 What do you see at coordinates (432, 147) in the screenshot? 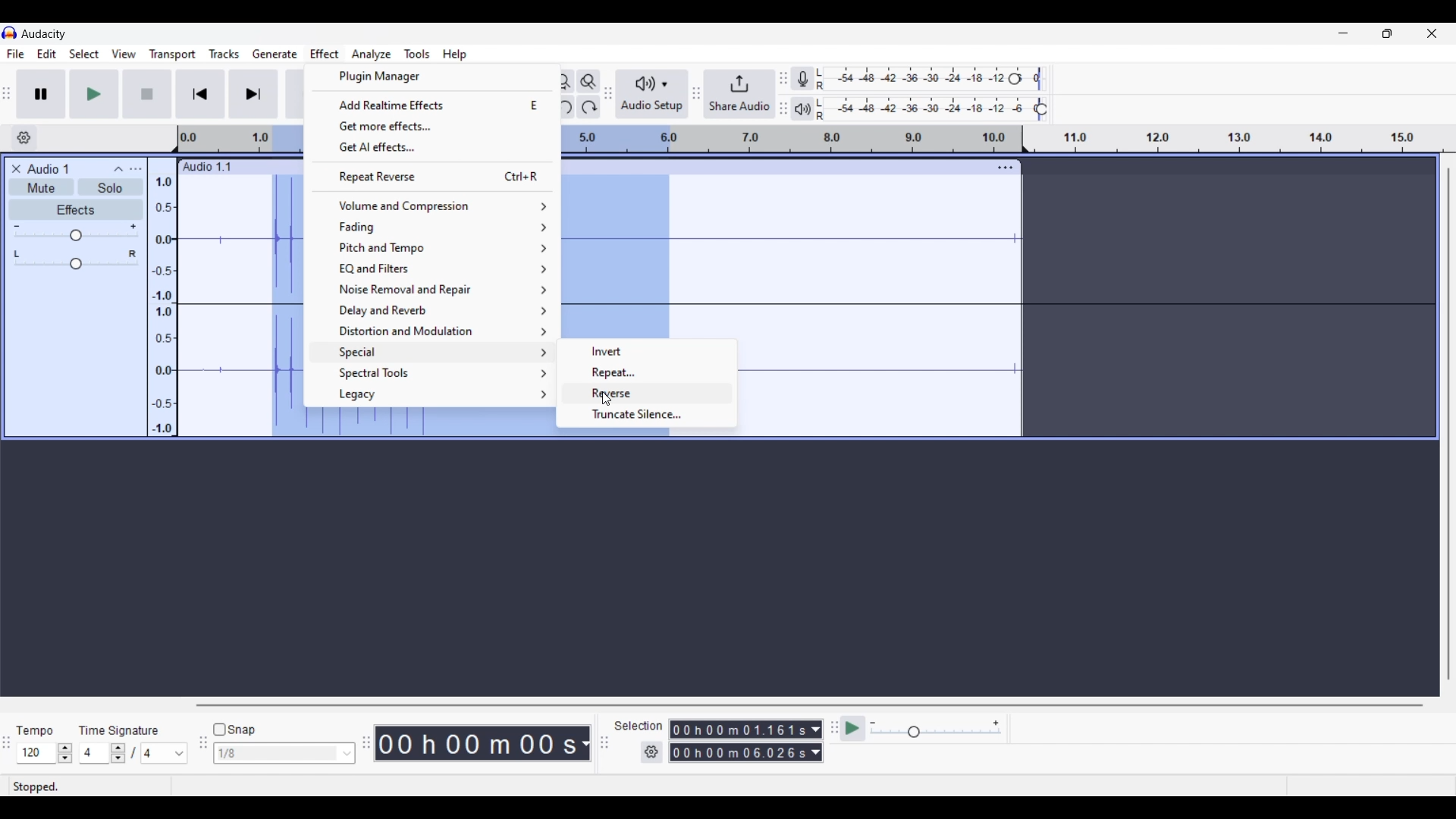
I see `Get AI effects` at bounding box center [432, 147].